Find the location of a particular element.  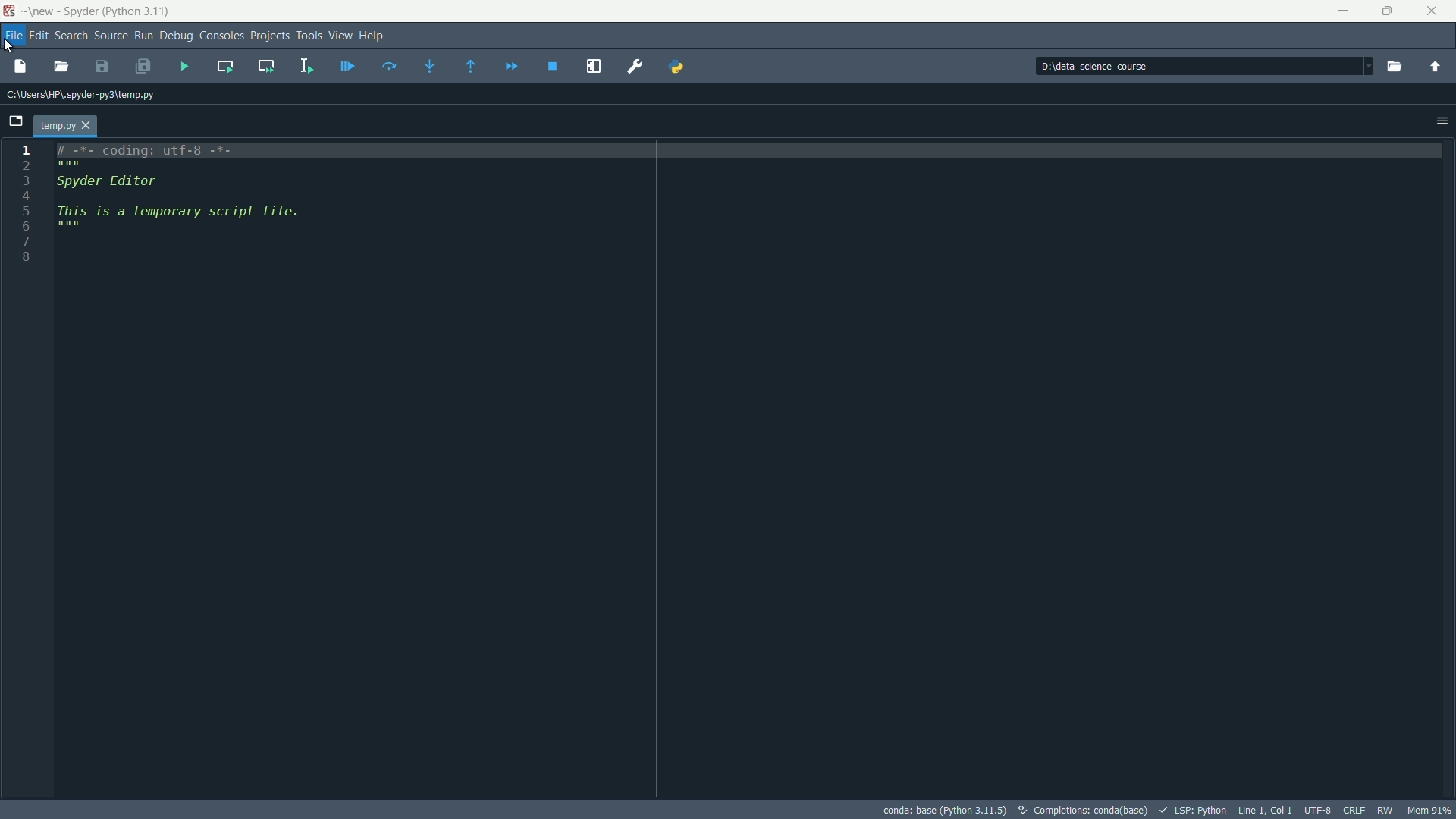

execute current line is located at coordinates (390, 67).